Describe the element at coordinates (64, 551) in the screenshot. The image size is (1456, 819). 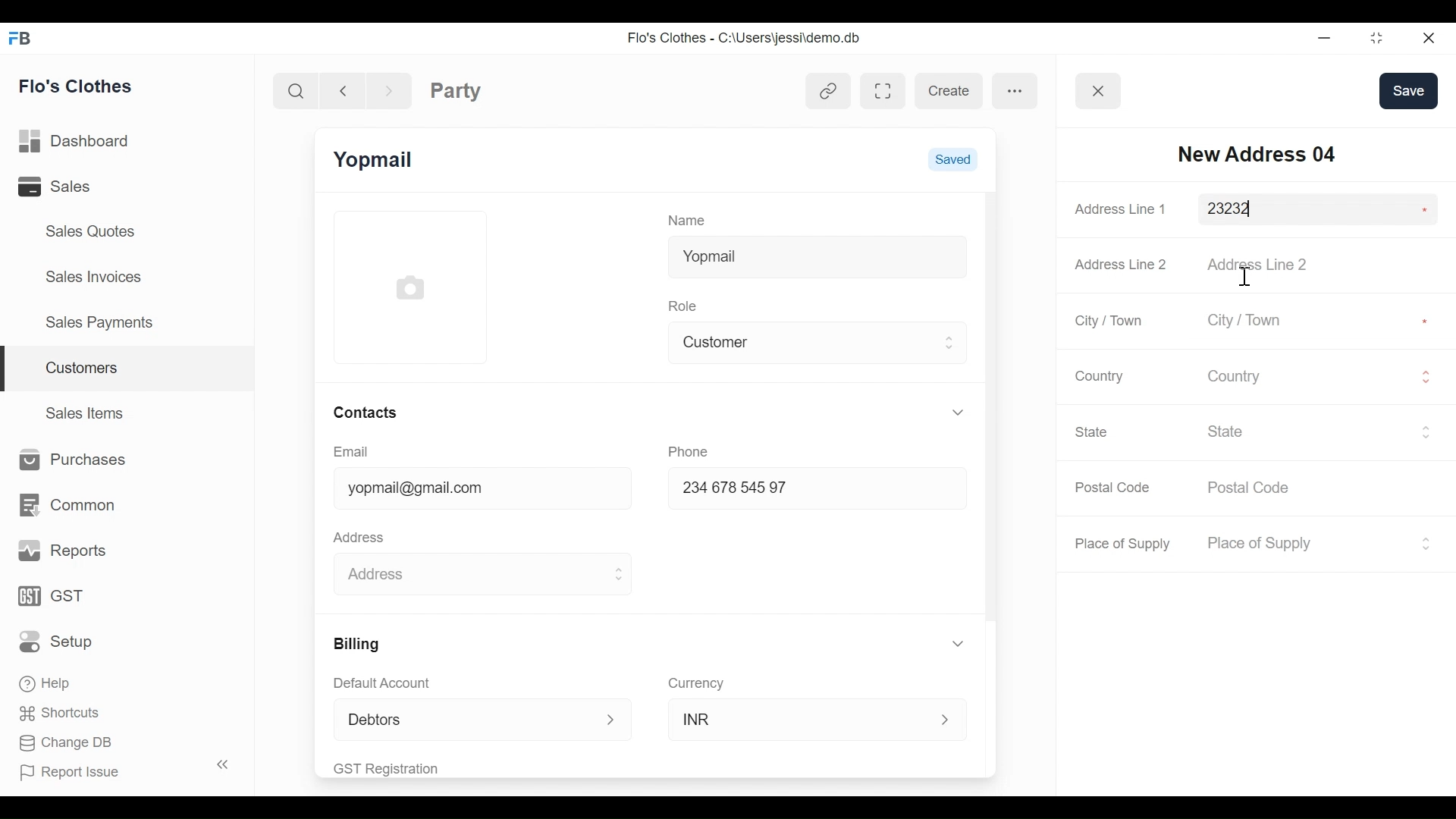
I see `Reports` at that location.